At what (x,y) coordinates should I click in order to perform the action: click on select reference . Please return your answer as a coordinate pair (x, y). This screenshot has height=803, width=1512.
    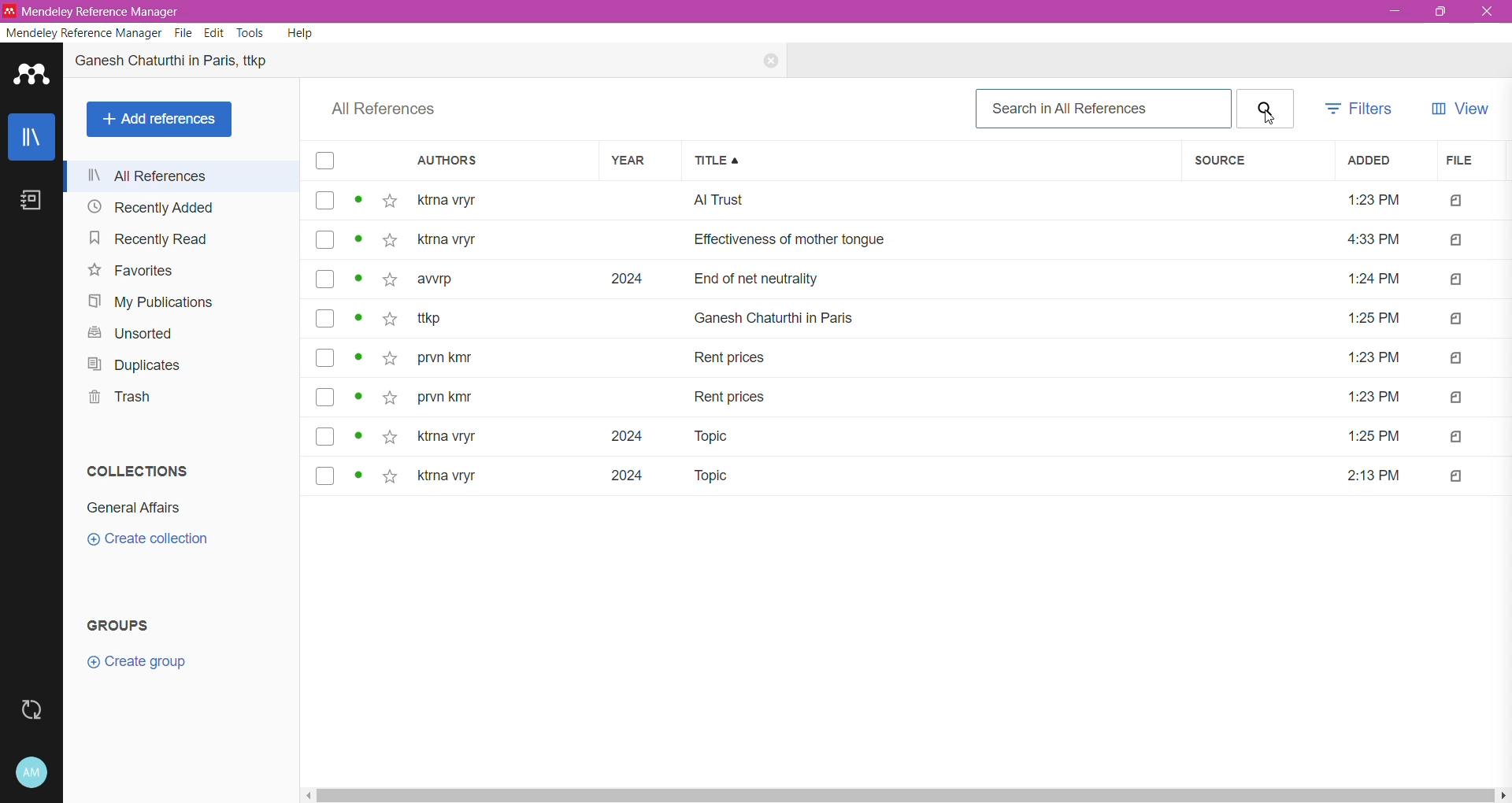
    Looking at the image, I should click on (326, 475).